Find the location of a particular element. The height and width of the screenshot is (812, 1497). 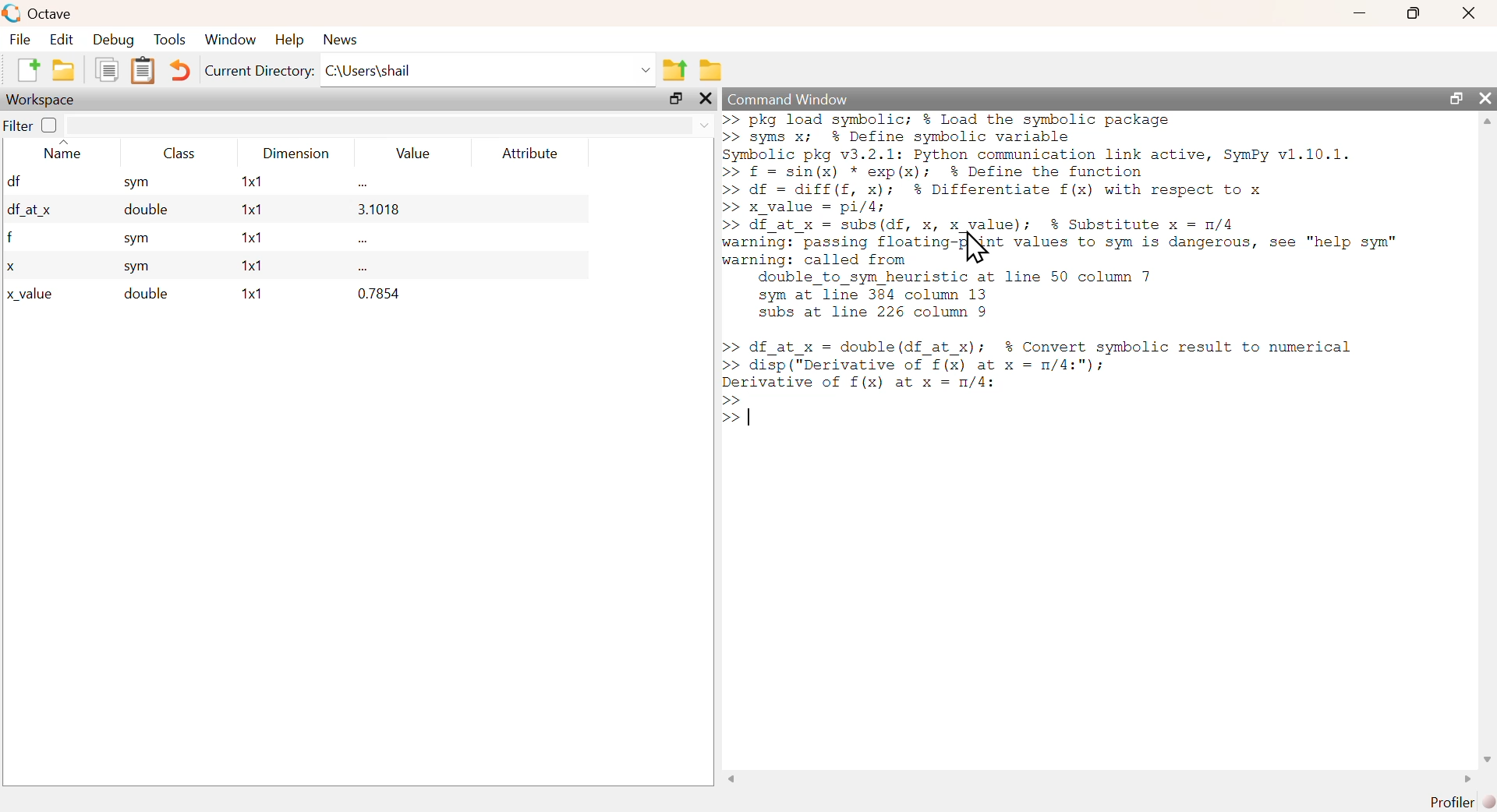

New Script is located at coordinates (31, 69).